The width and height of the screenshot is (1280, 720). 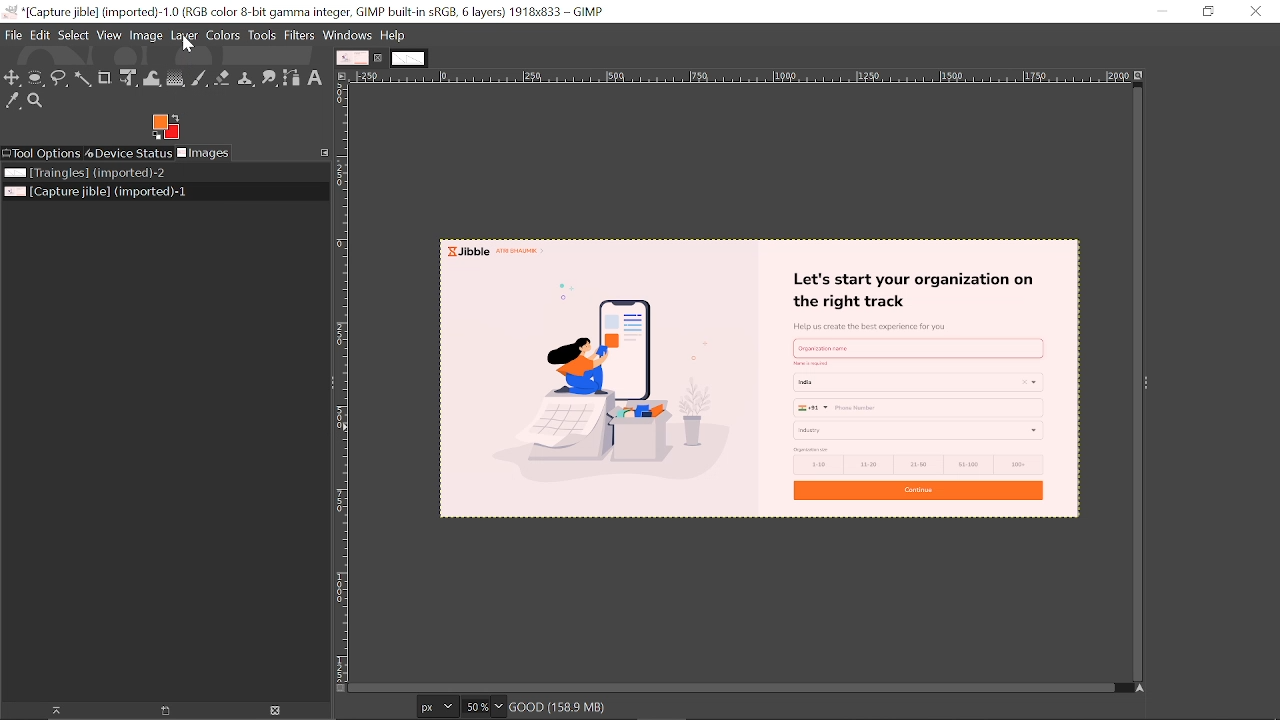 What do you see at coordinates (59, 78) in the screenshot?
I see `Free select tool` at bounding box center [59, 78].